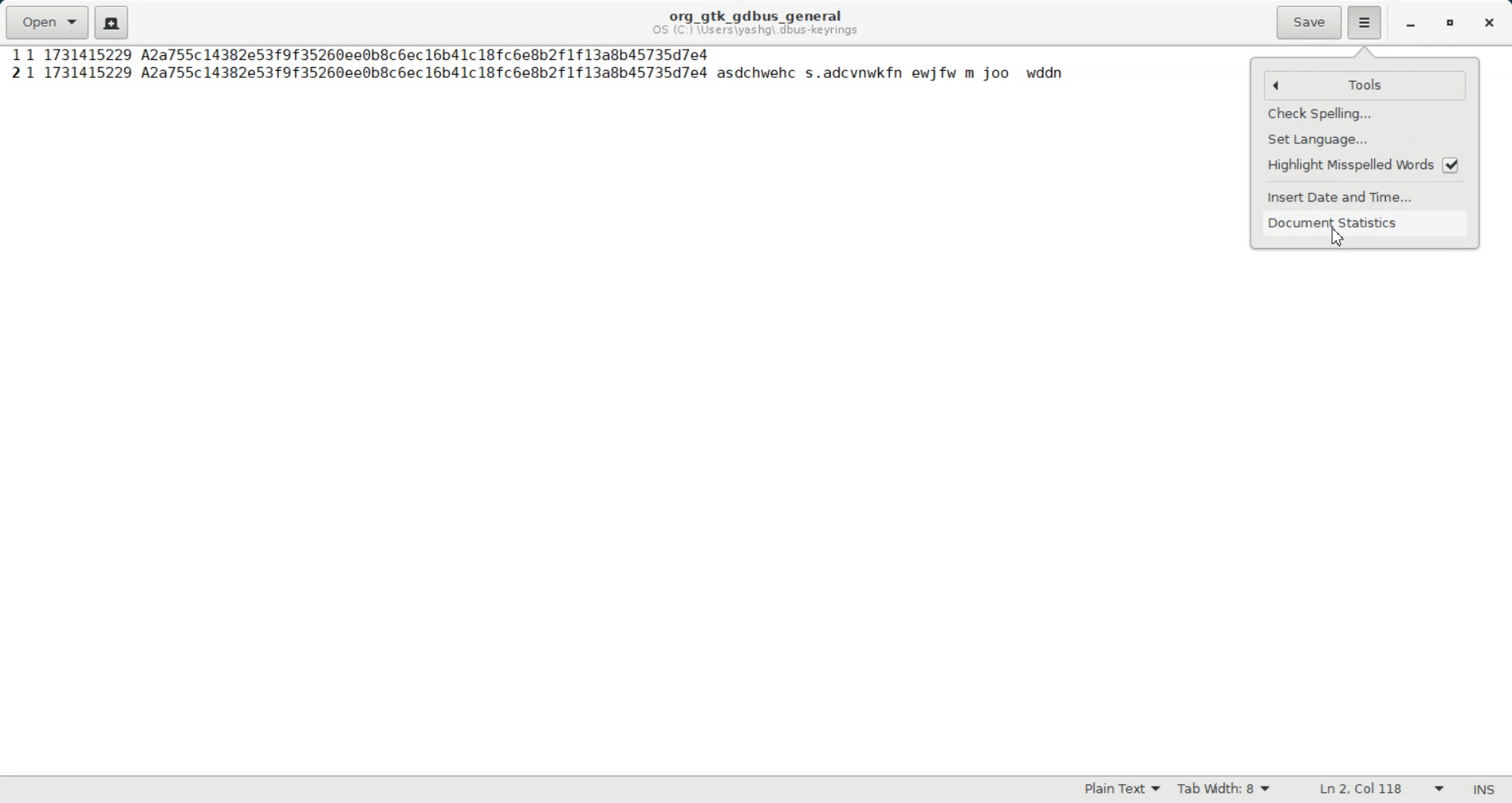 The width and height of the screenshot is (1512, 803). What do you see at coordinates (1484, 790) in the screenshot?
I see `INS` at bounding box center [1484, 790].